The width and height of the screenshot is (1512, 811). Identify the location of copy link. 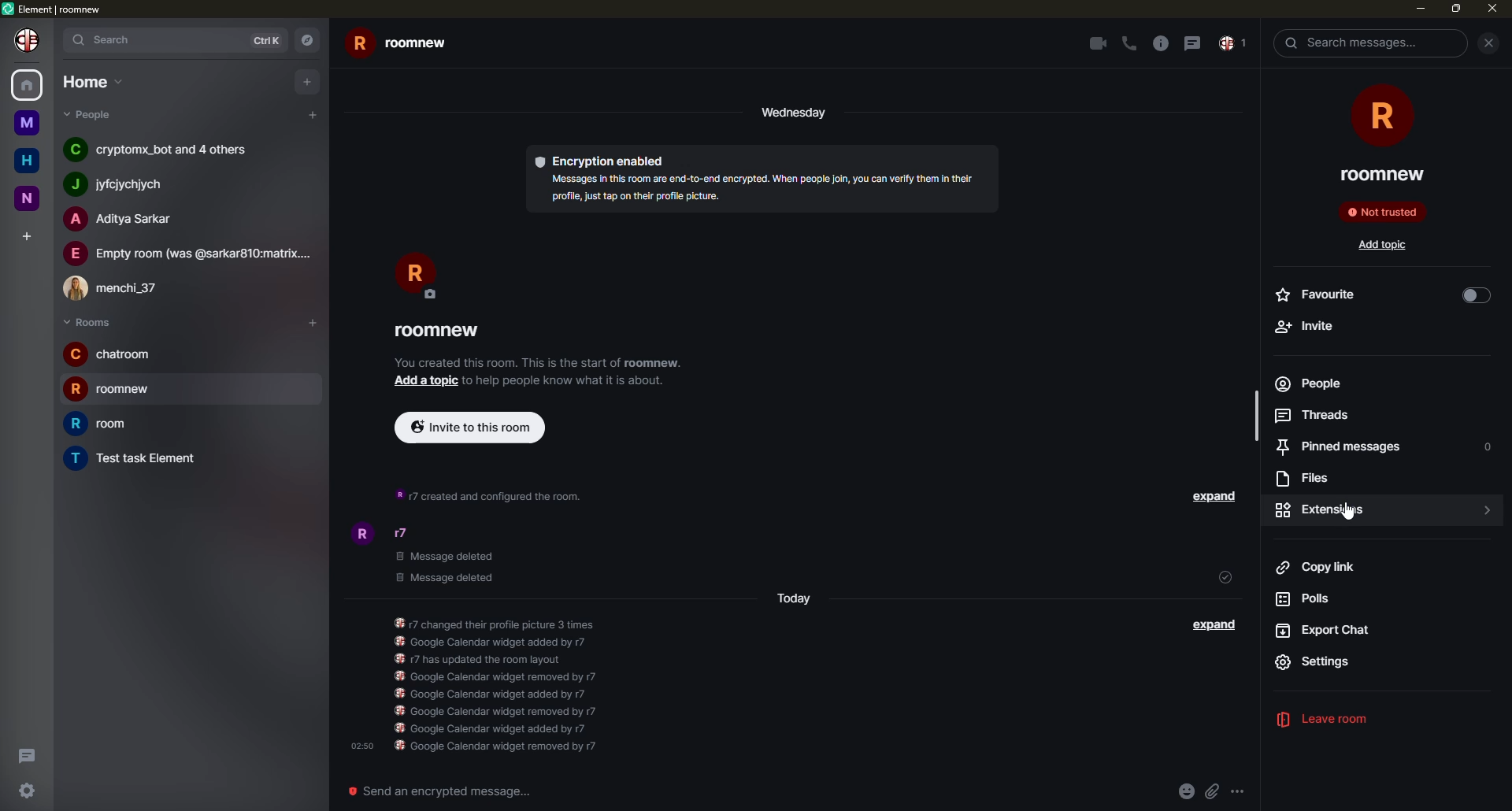
(1326, 568).